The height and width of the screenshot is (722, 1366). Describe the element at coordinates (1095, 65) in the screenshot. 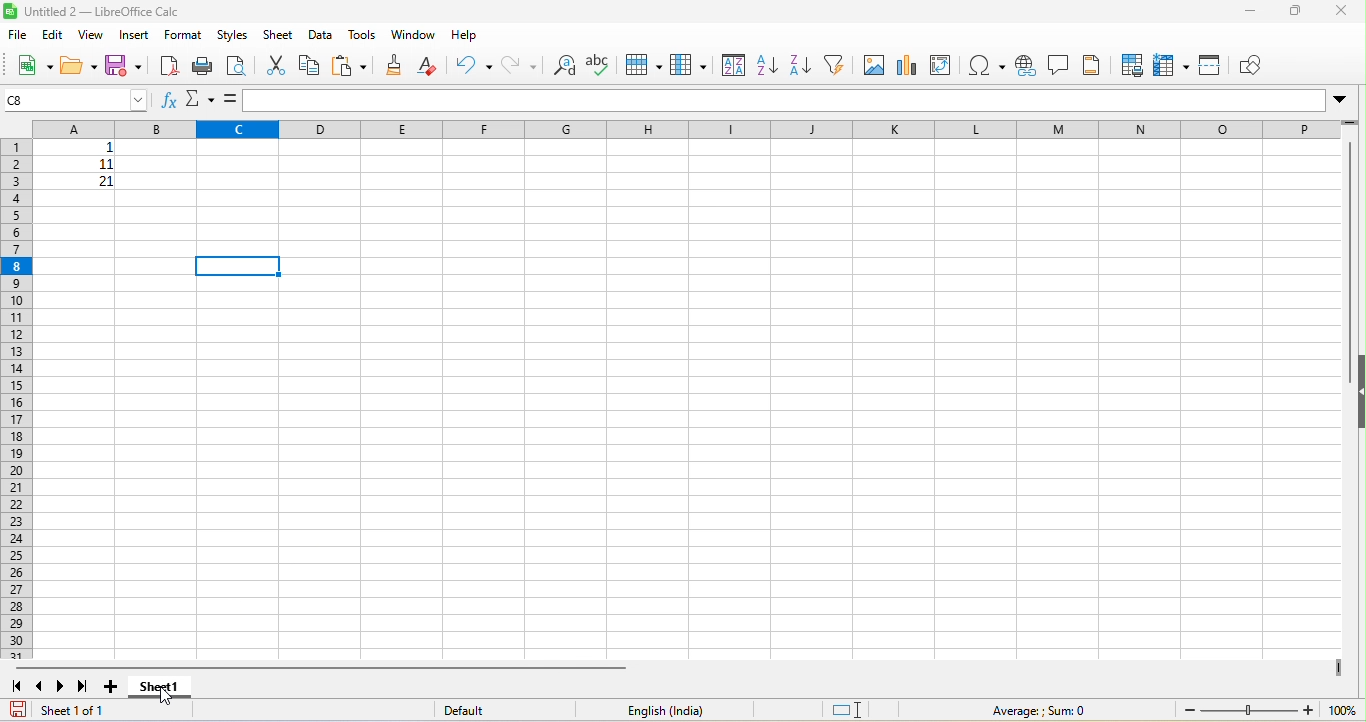

I see `header and footer` at that location.